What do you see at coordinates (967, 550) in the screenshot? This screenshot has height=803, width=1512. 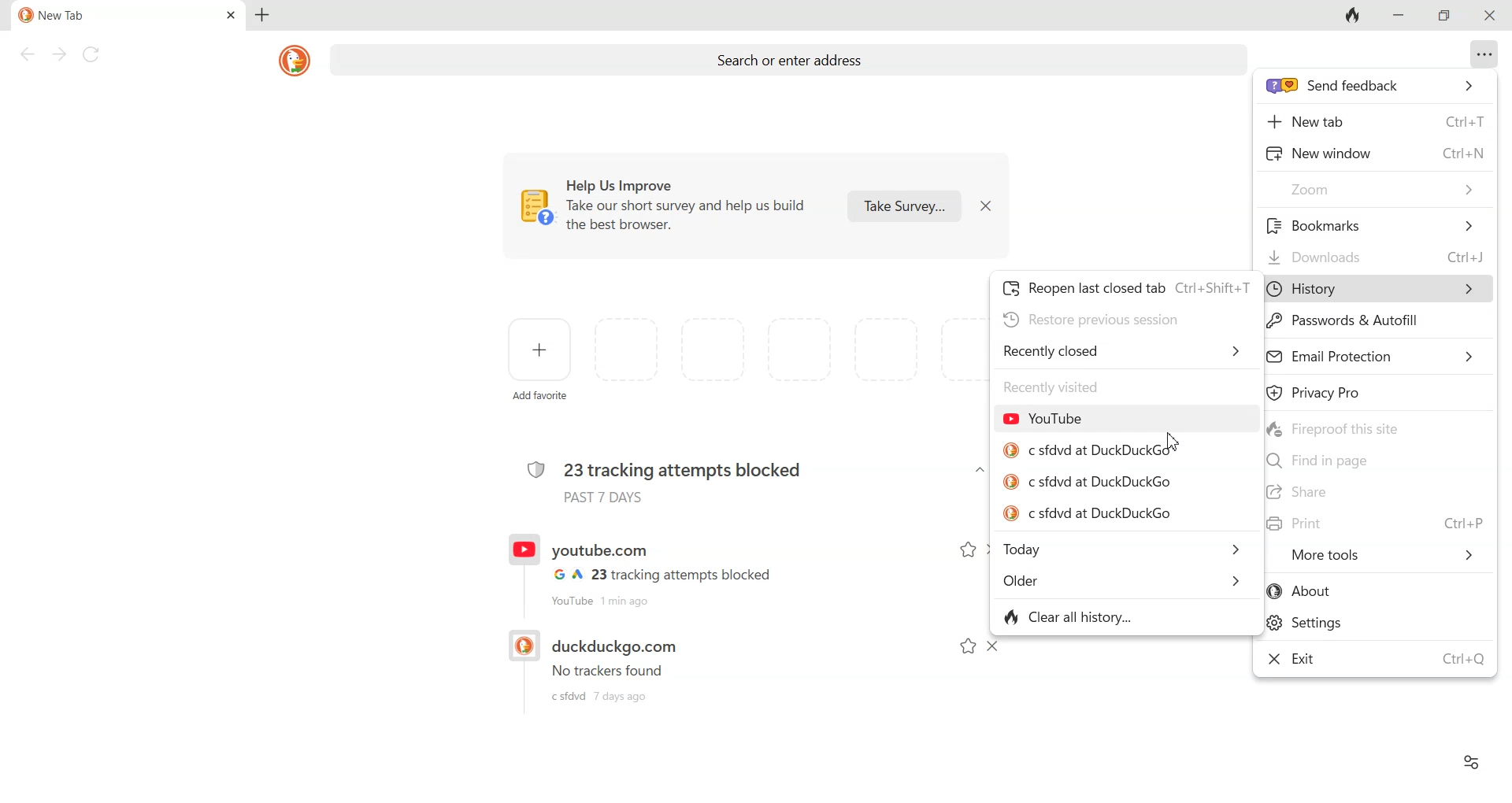 I see `Add to favorite` at bounding box center [967, 550].